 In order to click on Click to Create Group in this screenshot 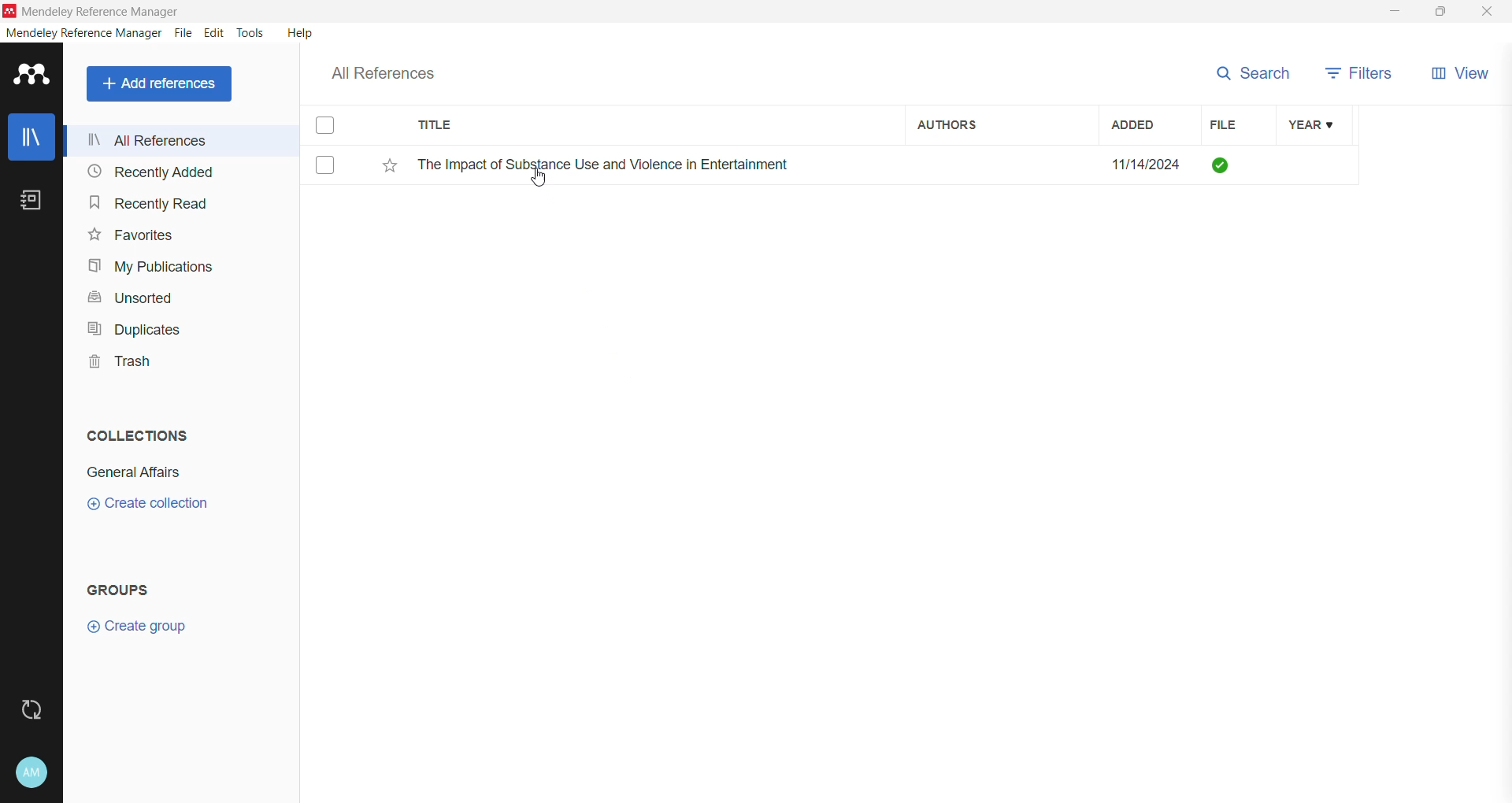, I will do `click(140, 632)`.